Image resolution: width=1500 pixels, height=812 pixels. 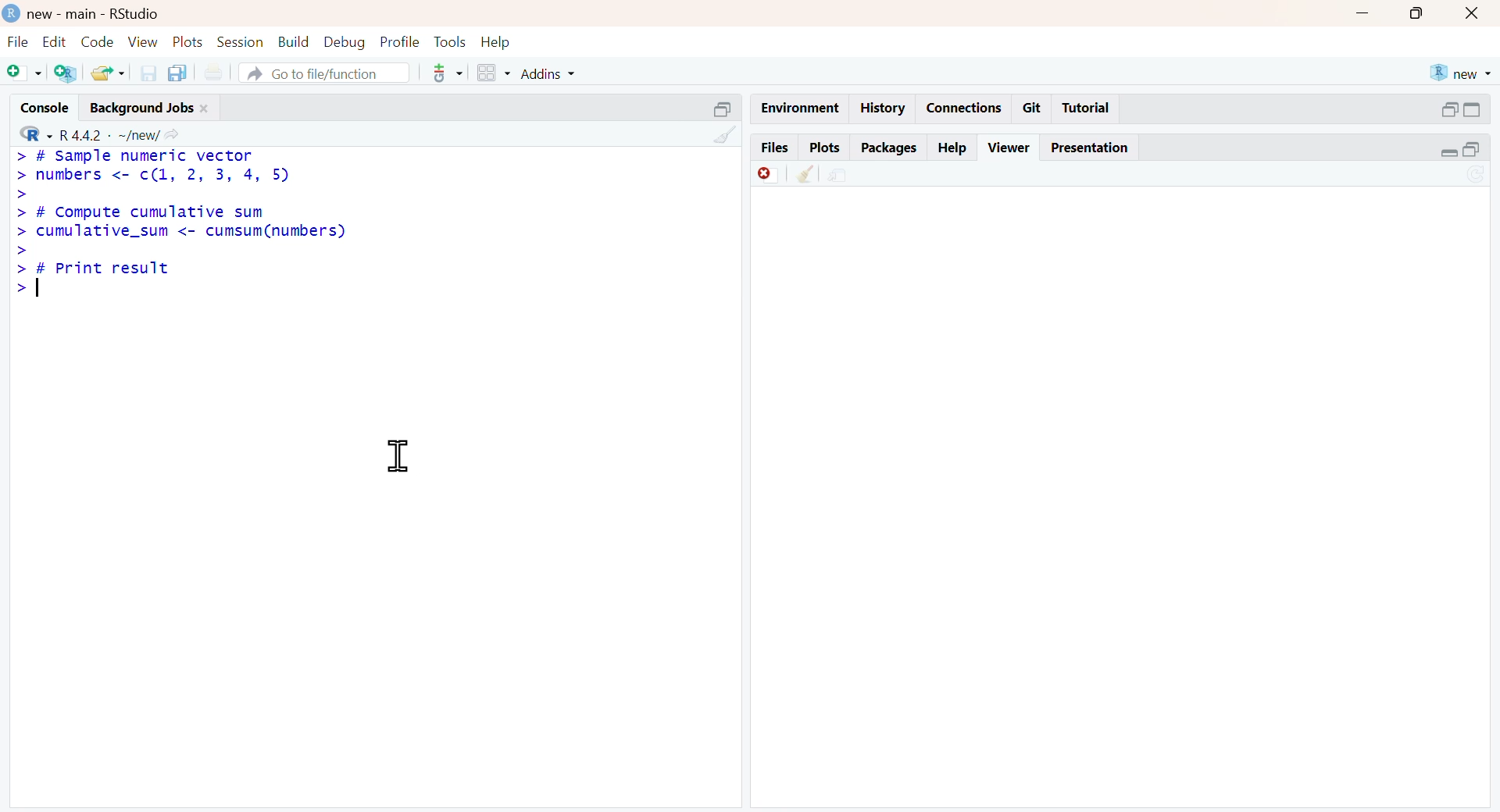 I want to click on environment, so click(x=838, y=177).